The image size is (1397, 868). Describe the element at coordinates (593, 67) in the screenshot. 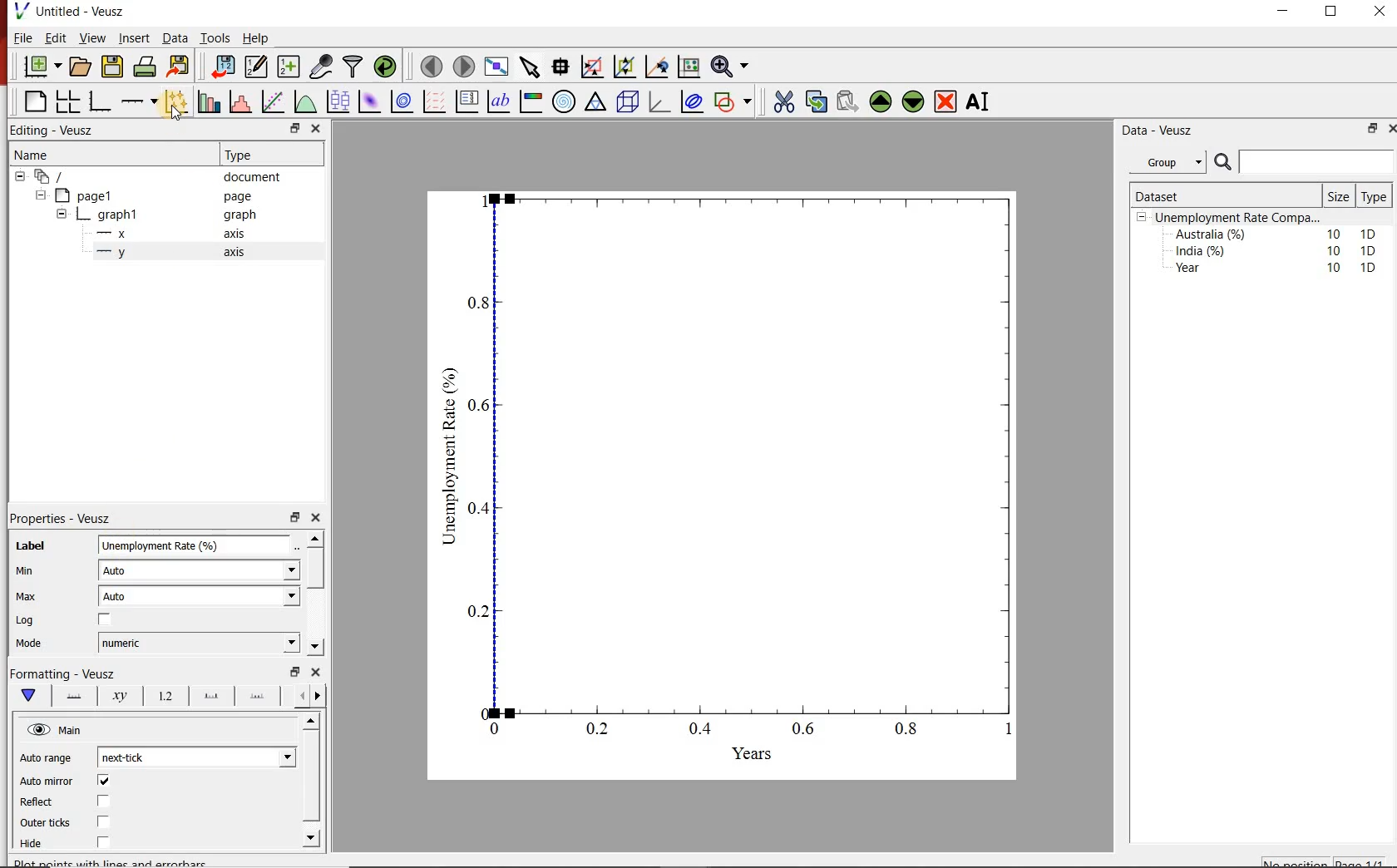

I see `click or draw rectangle on the zoom graph axes` at that location.